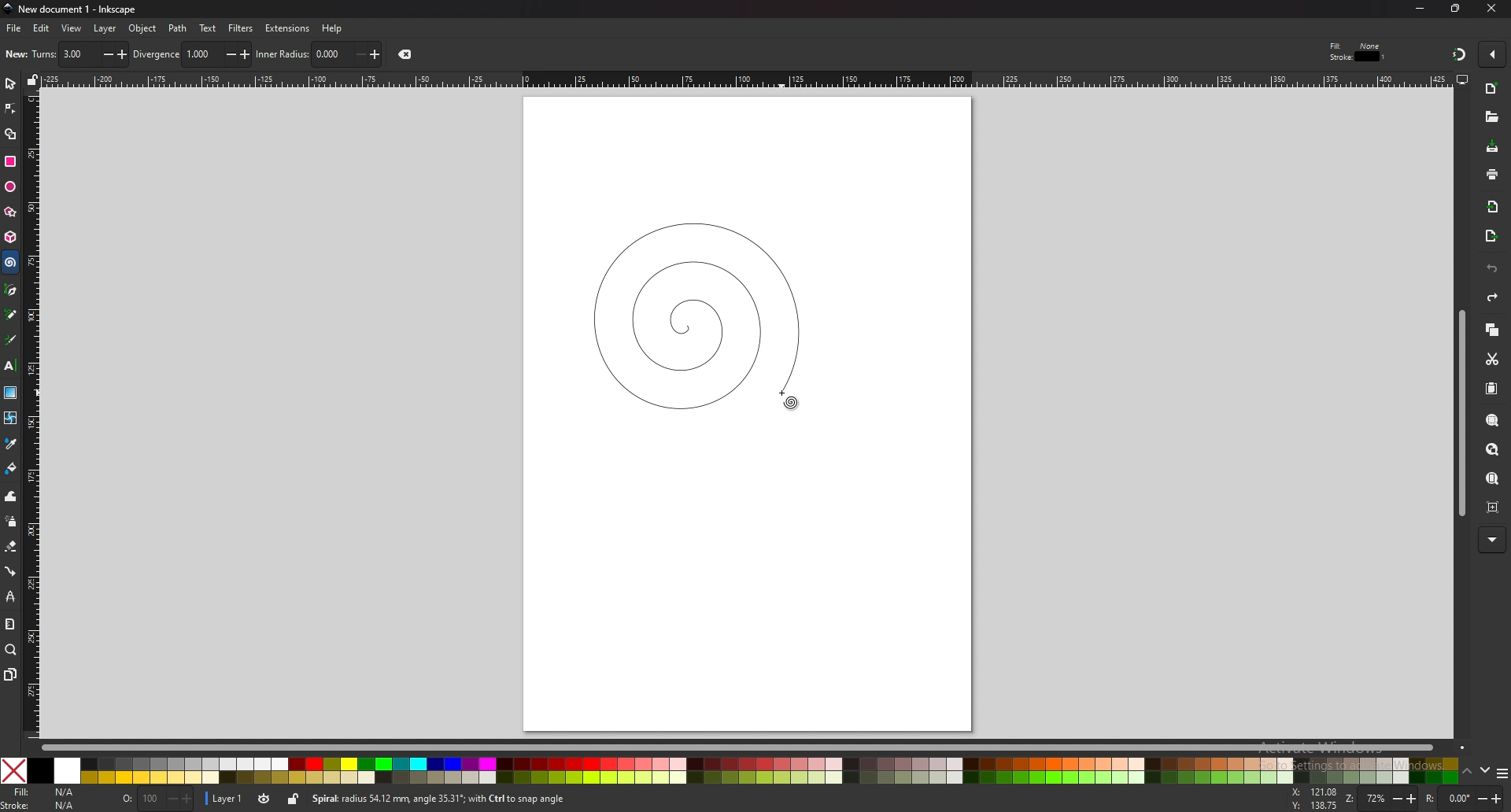 This screenshot has height=812, width=1511. I want to click on star polygon, so click(10, 212).